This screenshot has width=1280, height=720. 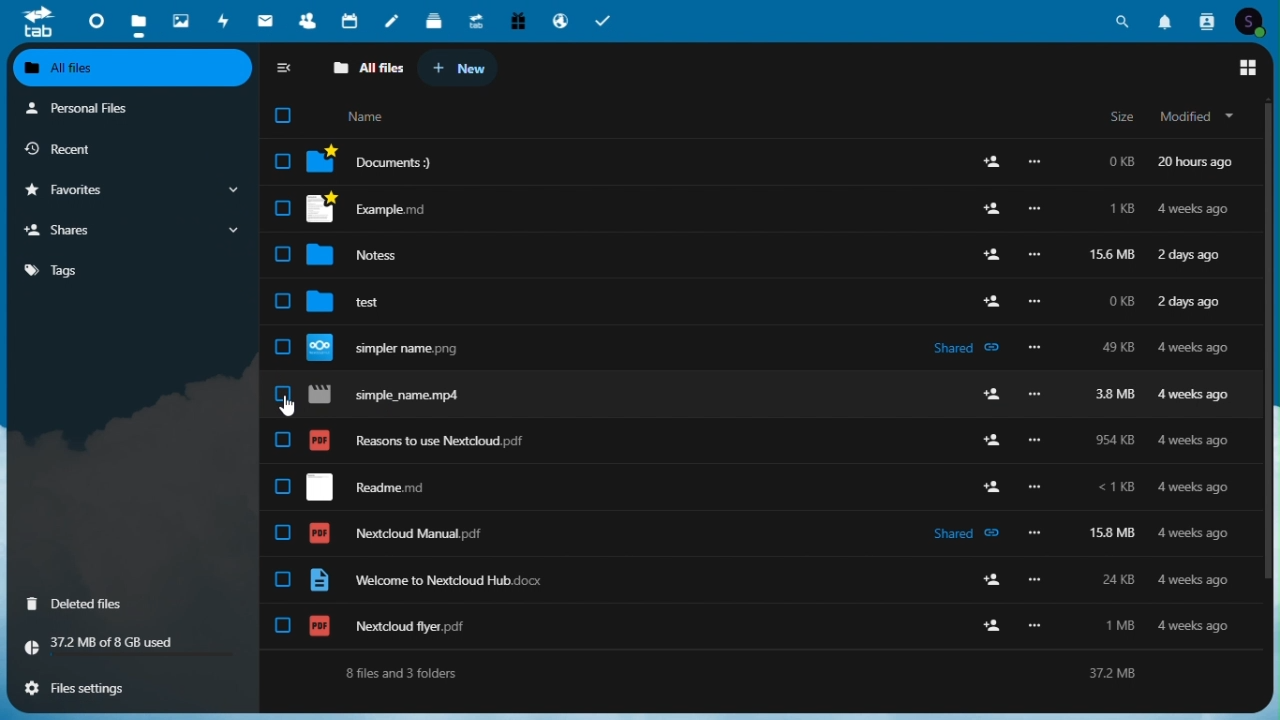 What do you see at coordinates (516, 20) in the screenshot?
I see `Free trial` at bounding box center [516, 20].